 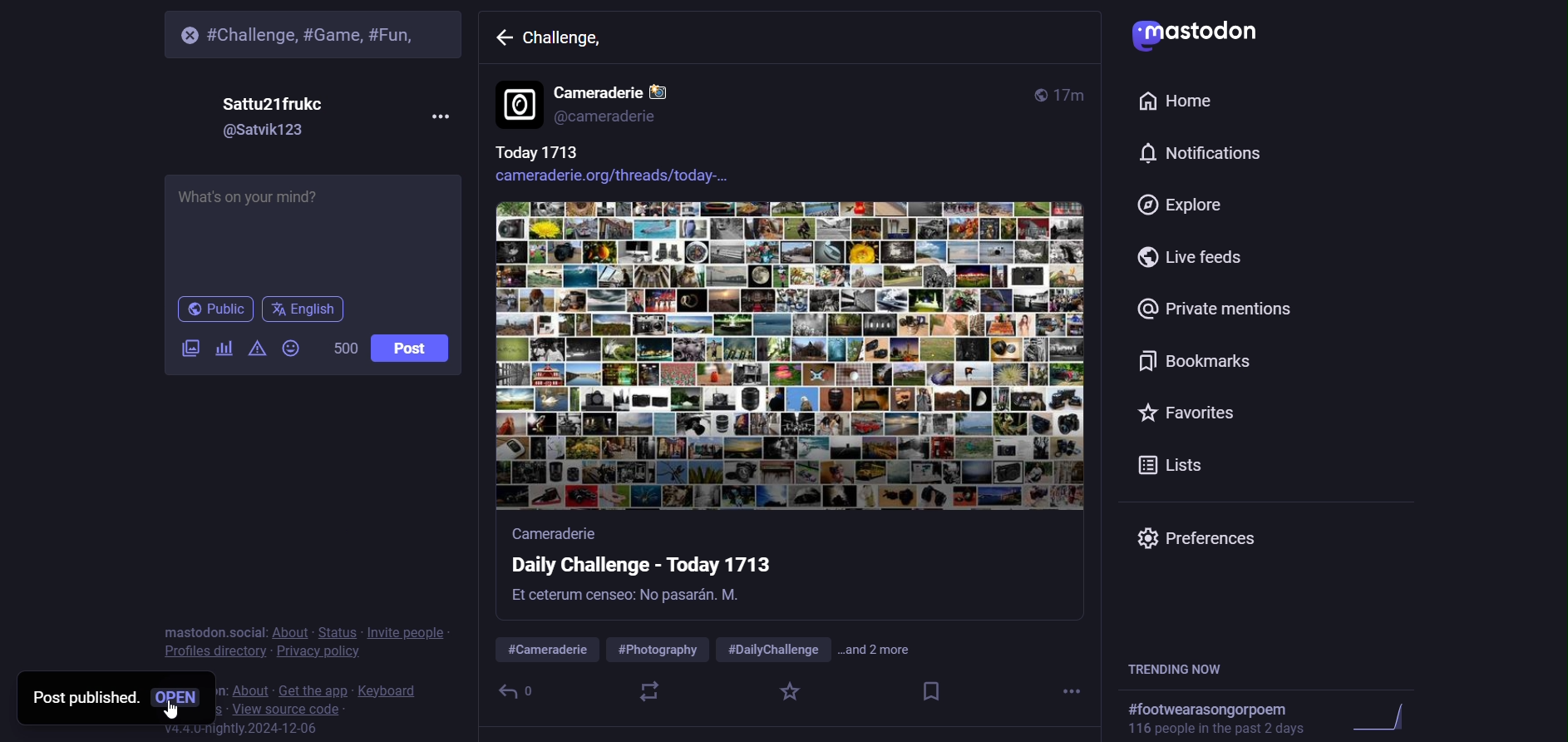 I want to click on Sattu21frukc, so click(x=276, y=101).